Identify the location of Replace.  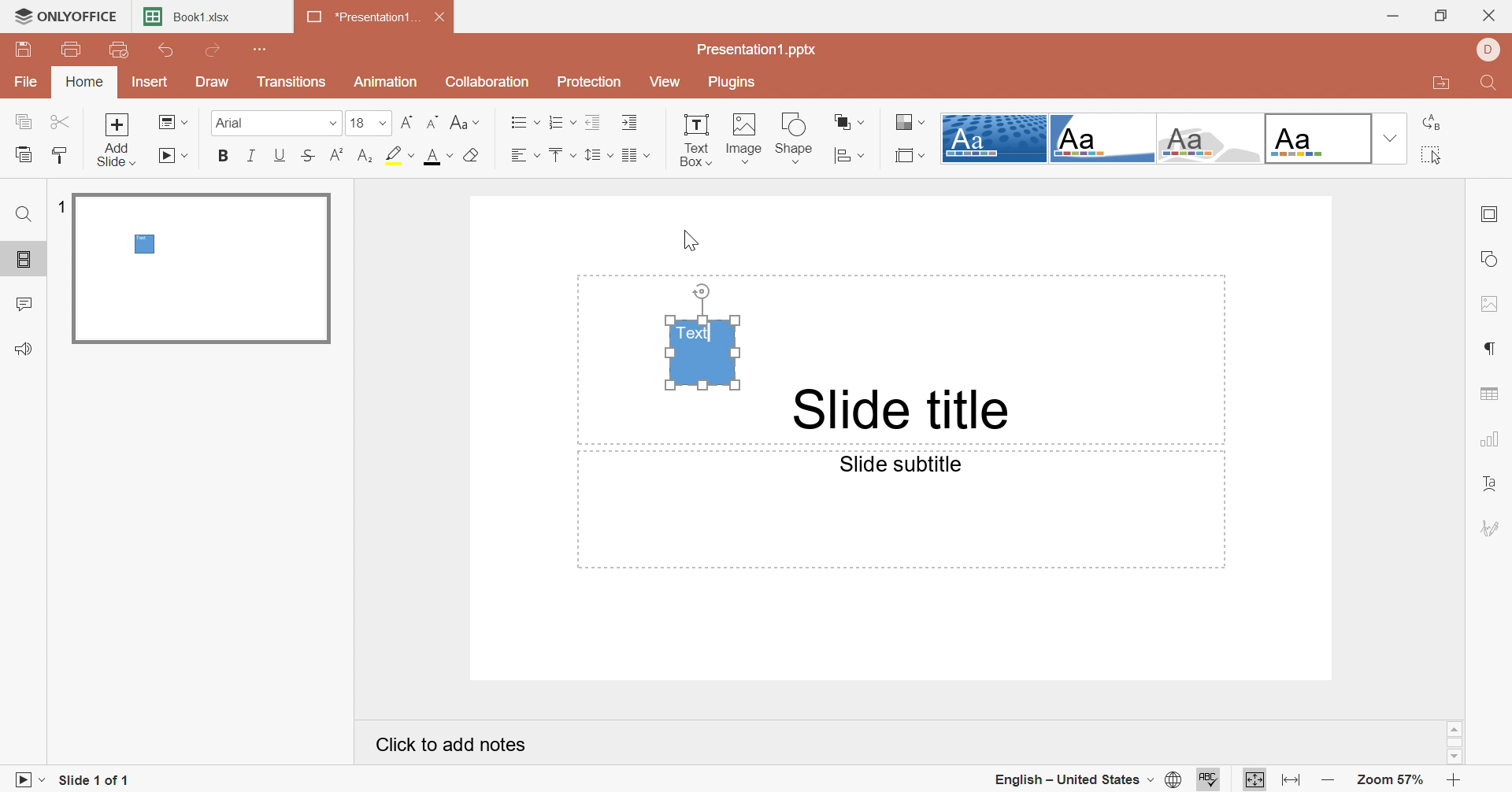
(1431, 124).